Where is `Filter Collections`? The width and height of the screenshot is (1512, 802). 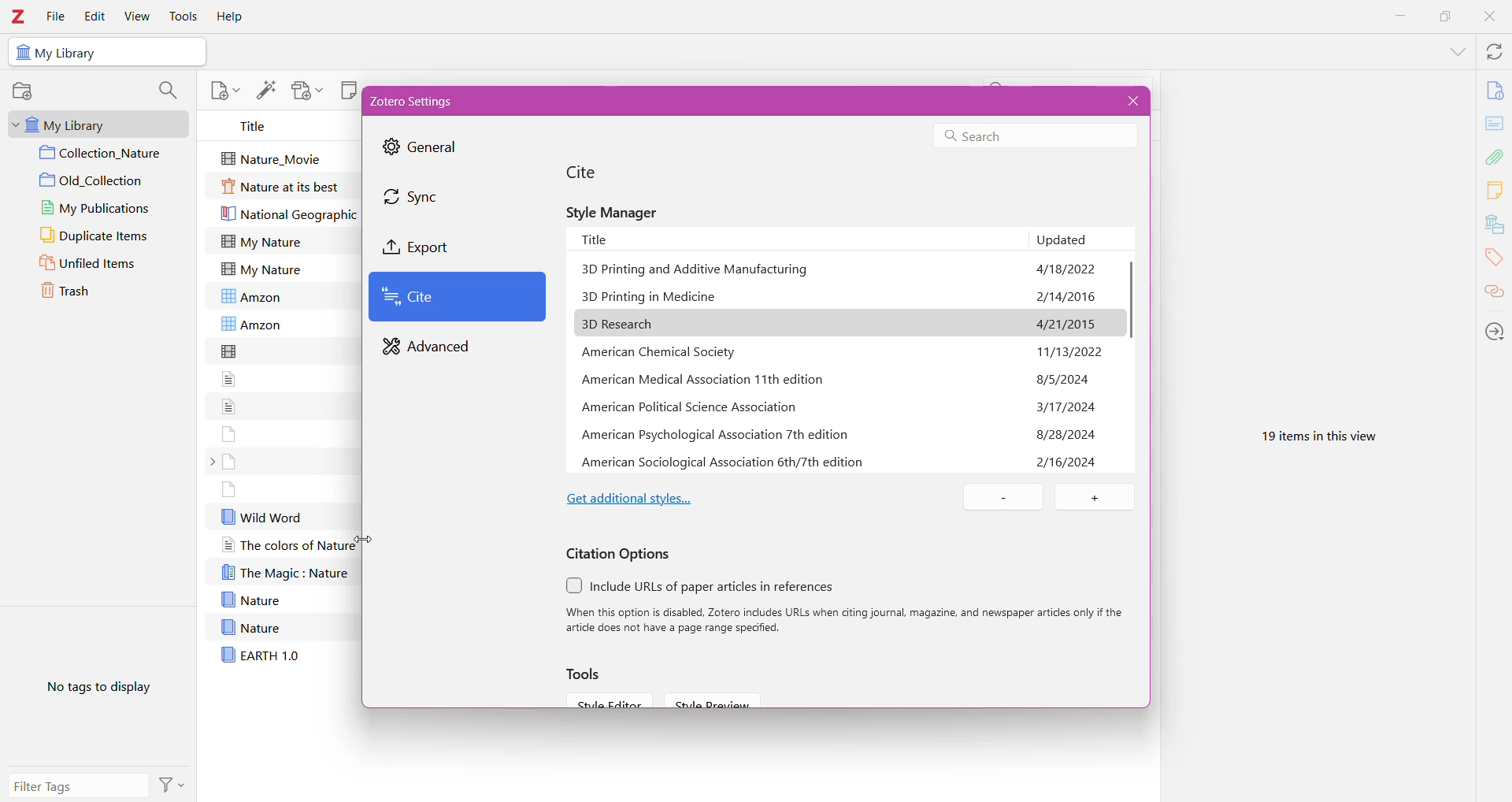 Filter Collections is located at coordinates (167, 91).